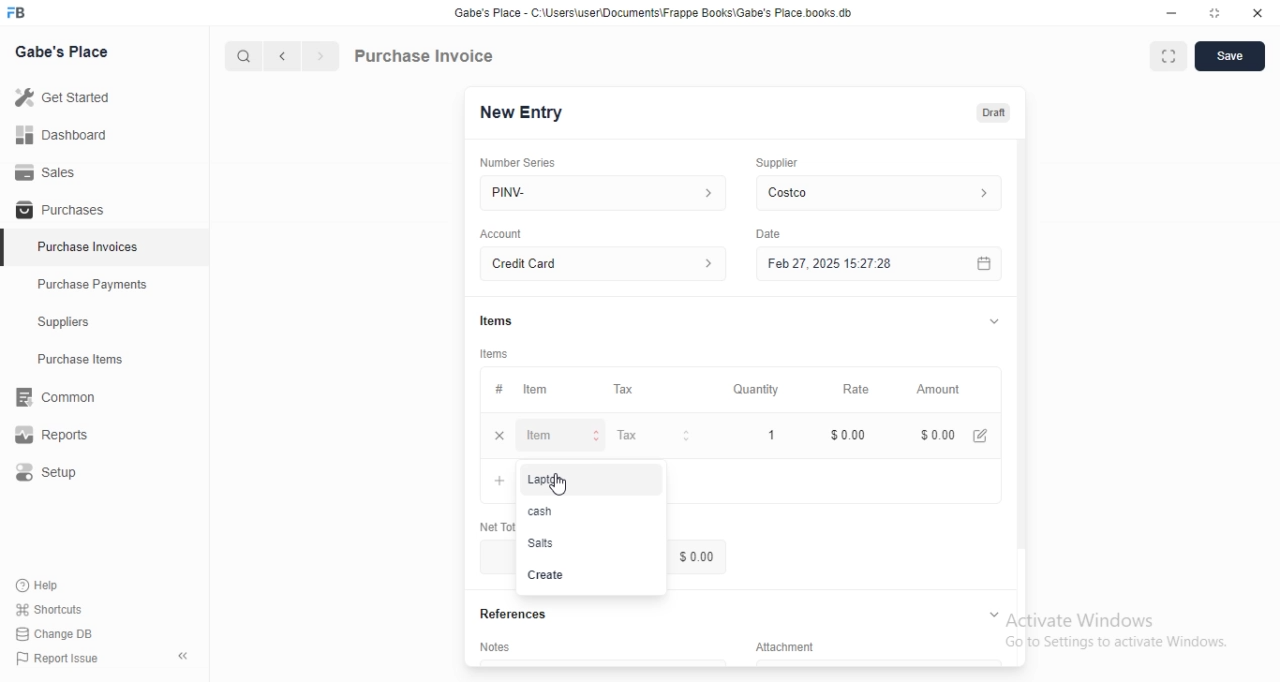  Describe the element at coordinates (501, 234) in the screenshot. I see `Account` at that location.